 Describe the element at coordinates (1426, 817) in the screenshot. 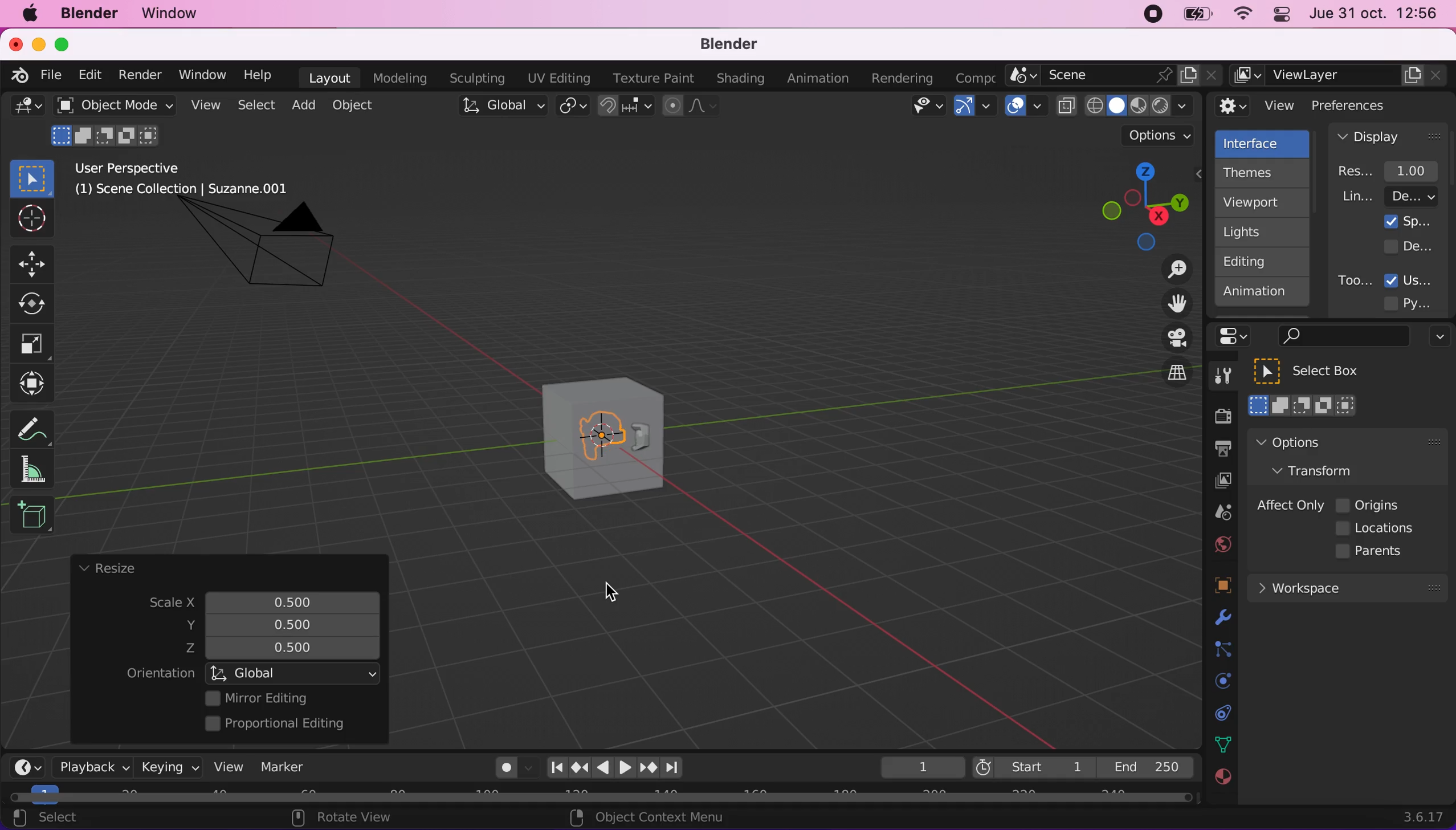

I see `3.6.17` at that location.